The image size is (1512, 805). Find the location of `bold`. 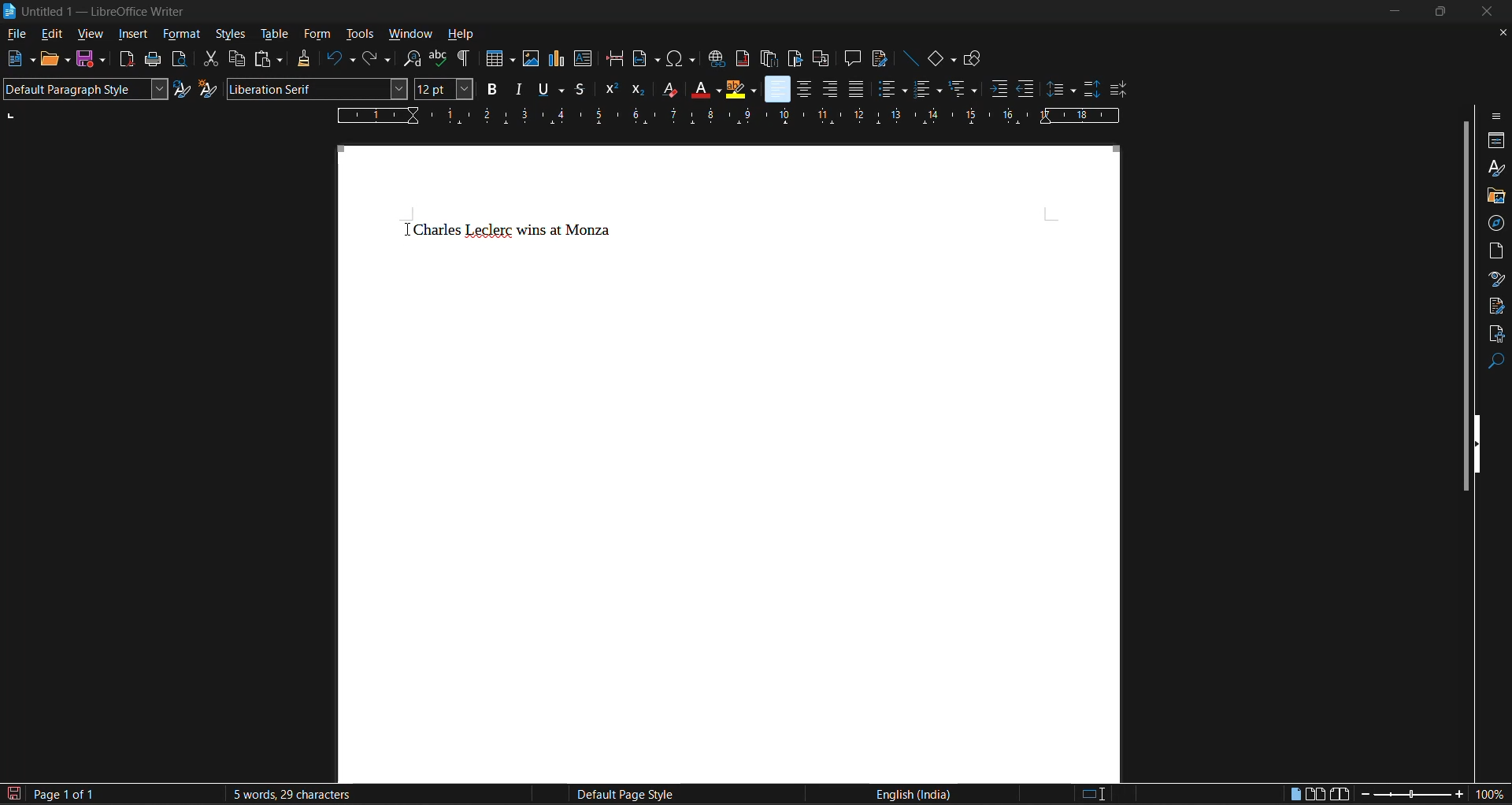

bold is located at coordinates (490, 88).